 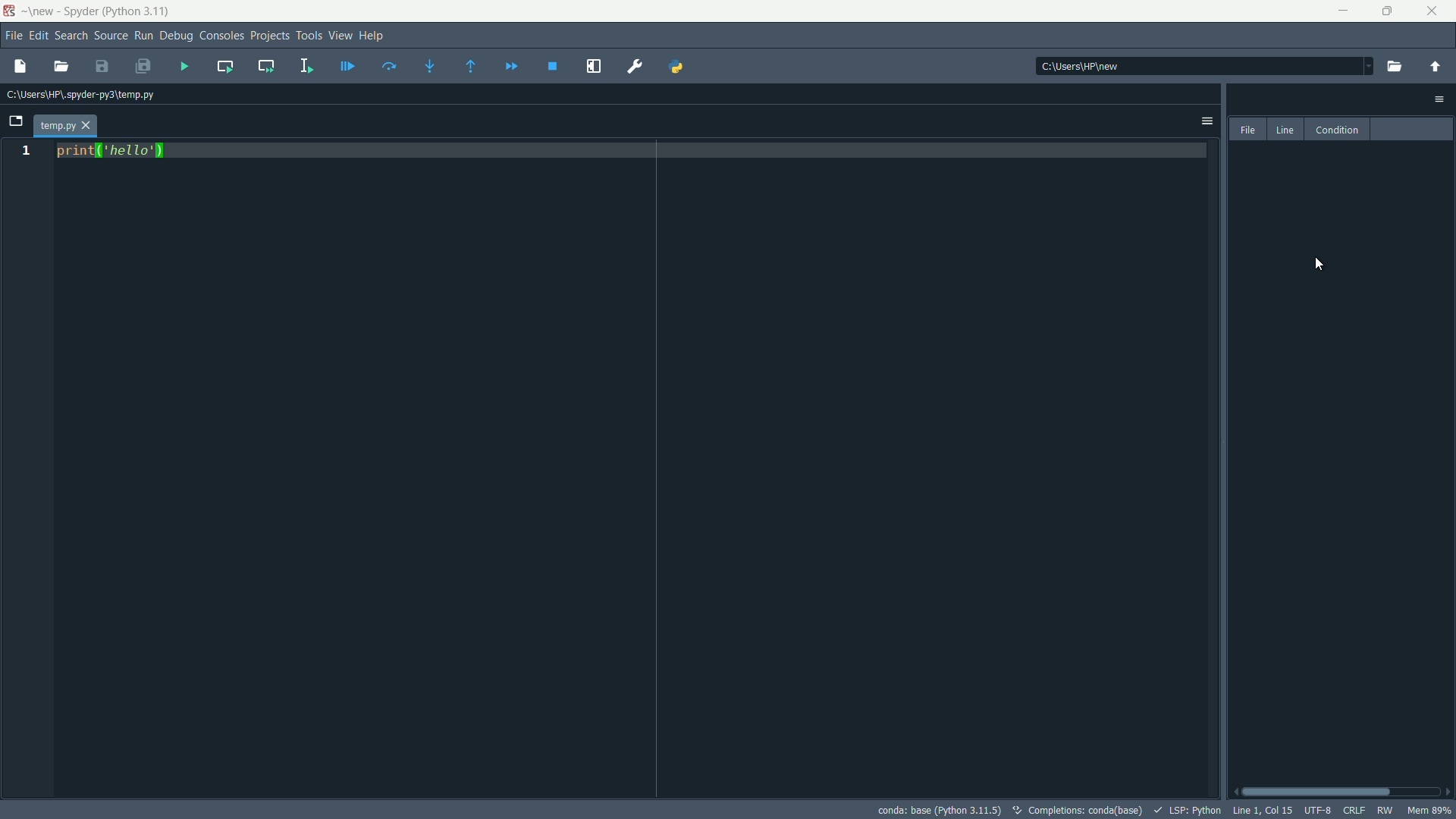 I want to click on c:\users\hp\.spyder-py3\temp.py, so click(x=78, y=96).